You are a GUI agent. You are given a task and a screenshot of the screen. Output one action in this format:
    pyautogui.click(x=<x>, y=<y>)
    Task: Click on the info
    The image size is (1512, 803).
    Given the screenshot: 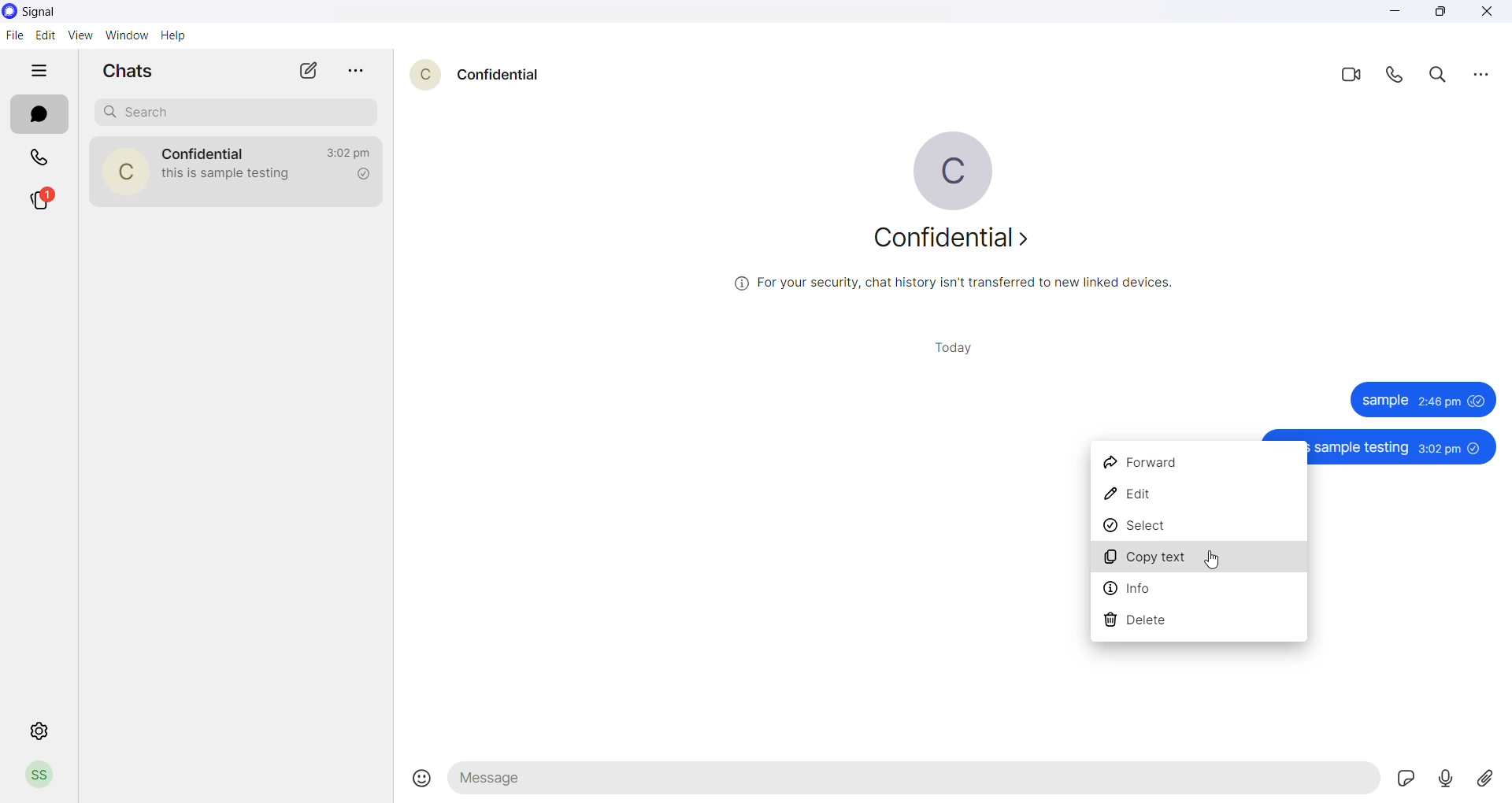 What is the action you would take?
    pyautogui.click(x=1201, y=590)
    